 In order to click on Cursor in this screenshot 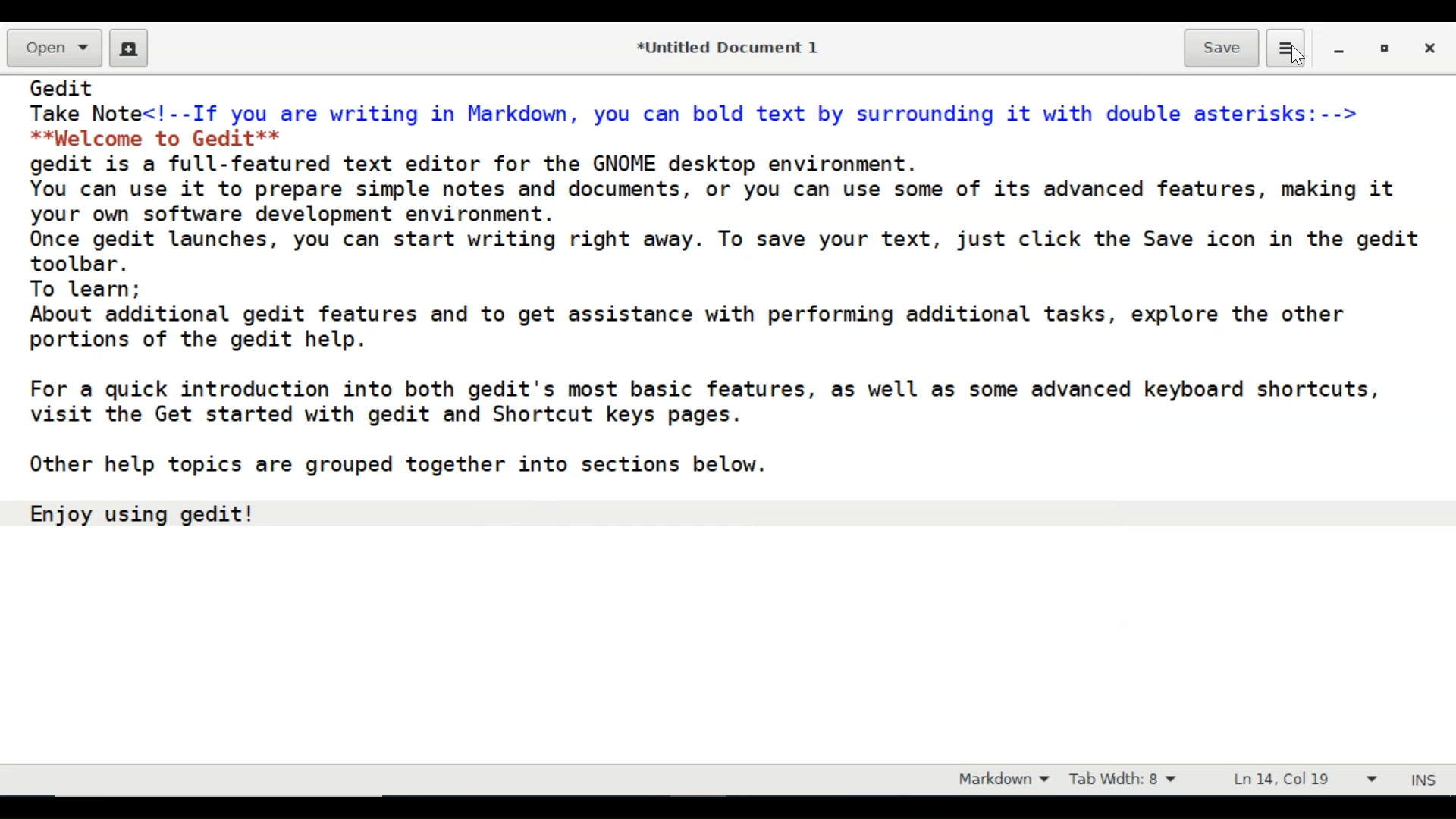, I will do `click(1294, 55)`.